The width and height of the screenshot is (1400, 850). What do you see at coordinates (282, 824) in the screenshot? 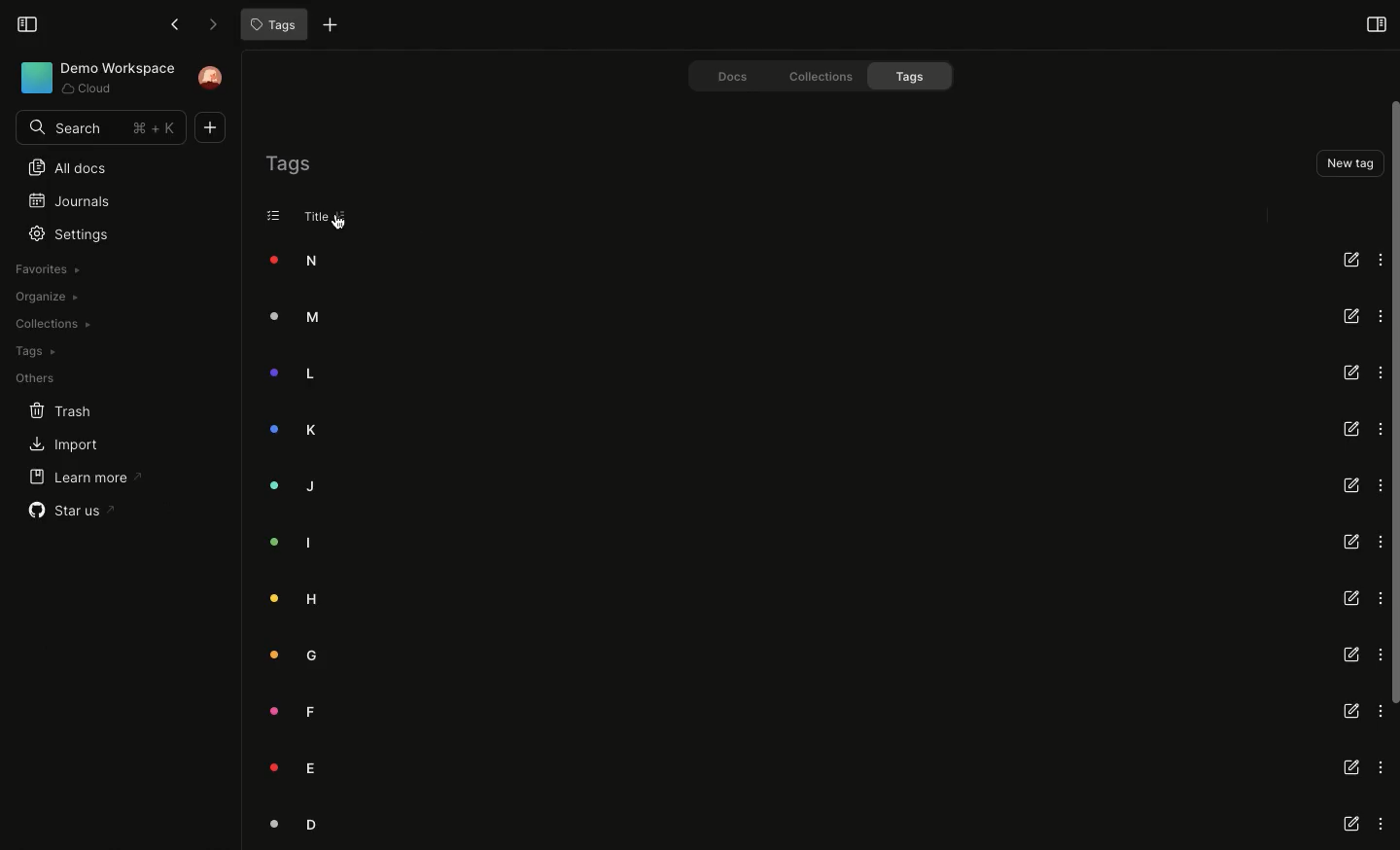
I see `D` at bounding box center [282, 824].